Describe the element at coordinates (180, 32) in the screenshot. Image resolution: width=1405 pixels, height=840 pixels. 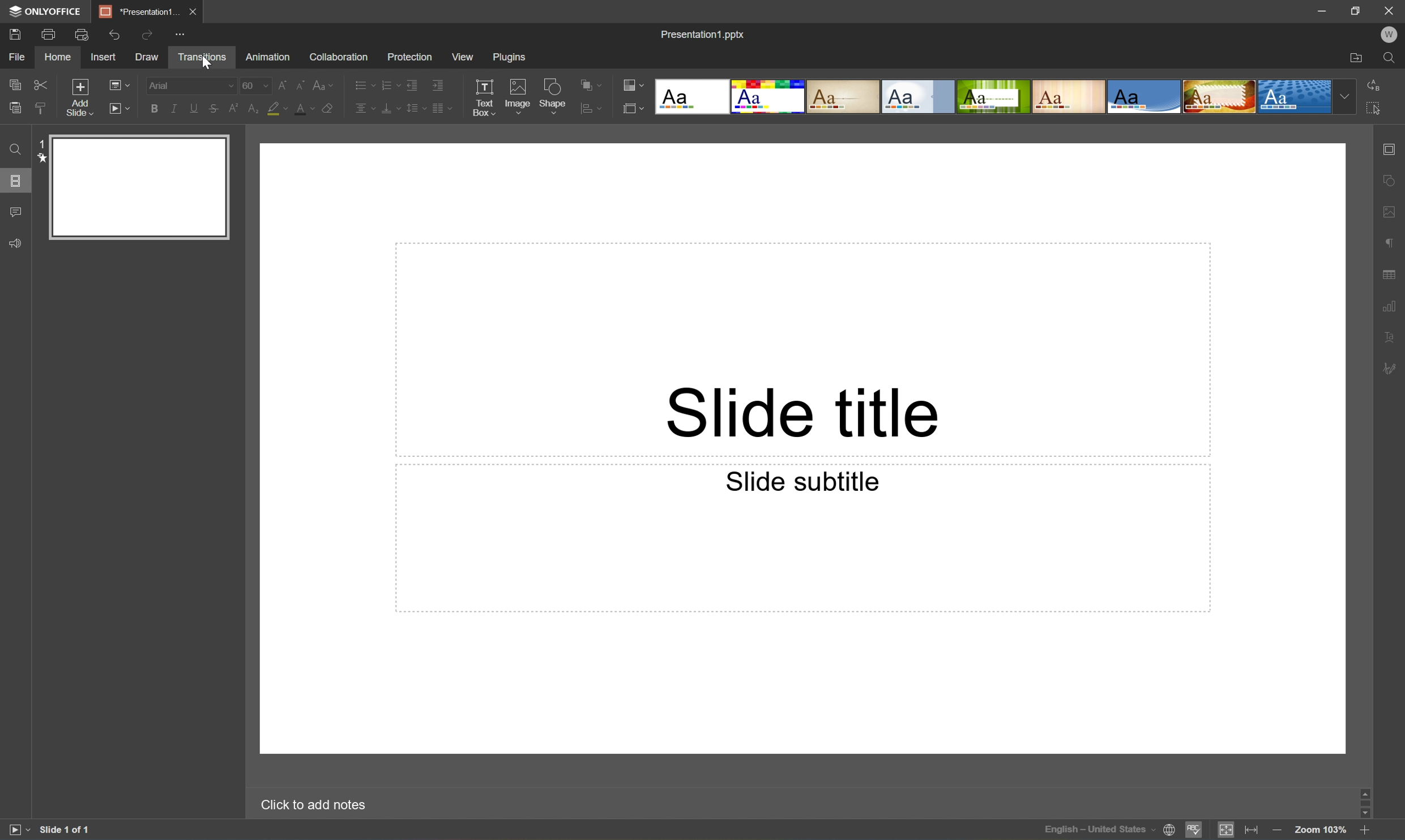
I see `Customize quick access toolbar` at that location.